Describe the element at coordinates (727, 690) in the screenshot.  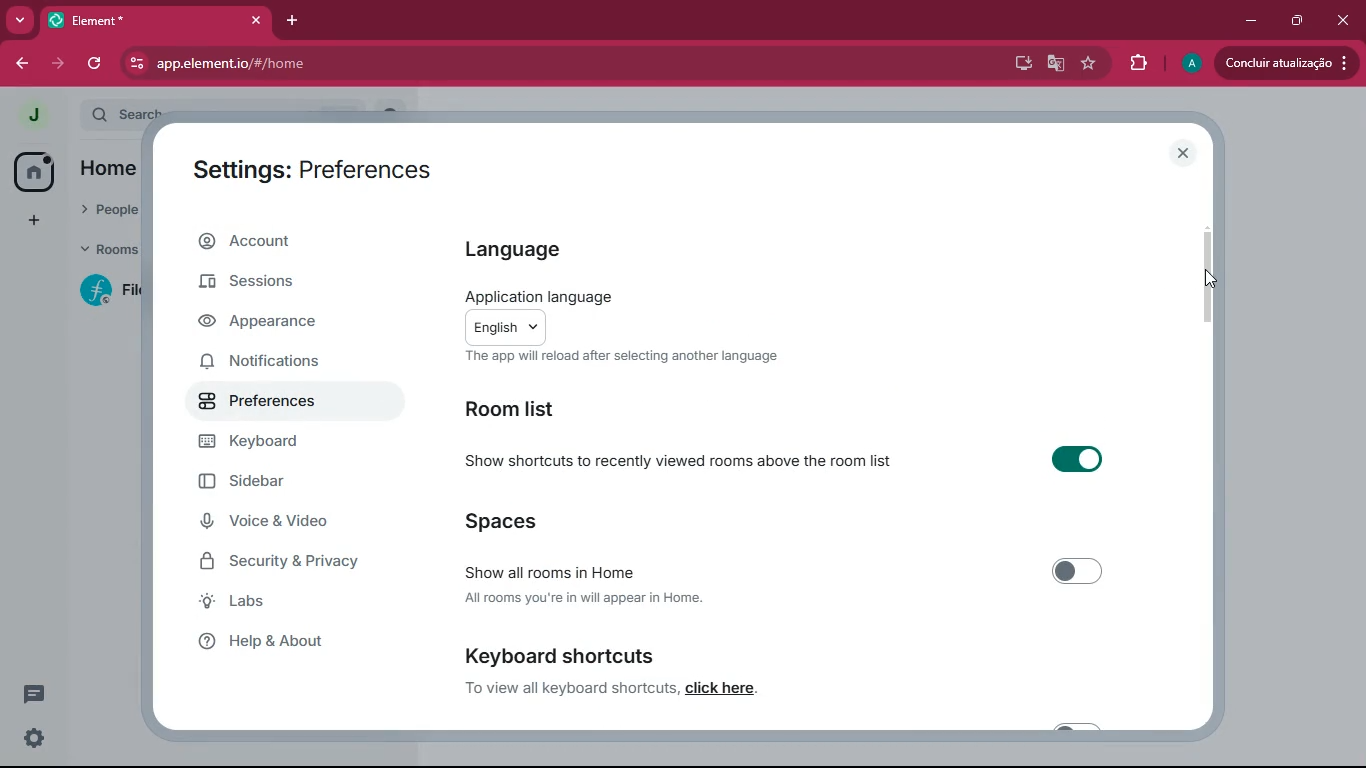
I see `click here` at that location.